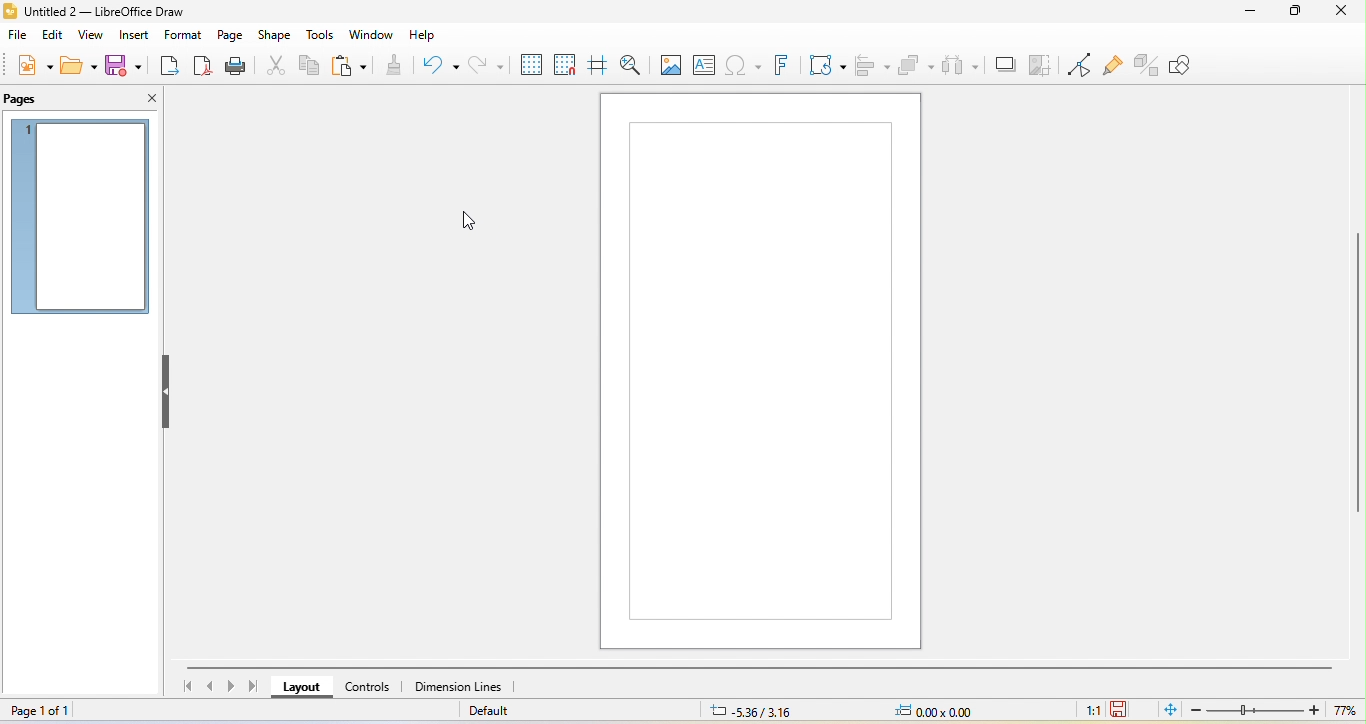 The width and height of the screenshot is (1366, 724). Describe the element at coordinates (17, 37) in the screenshot. I see `file` at that location.